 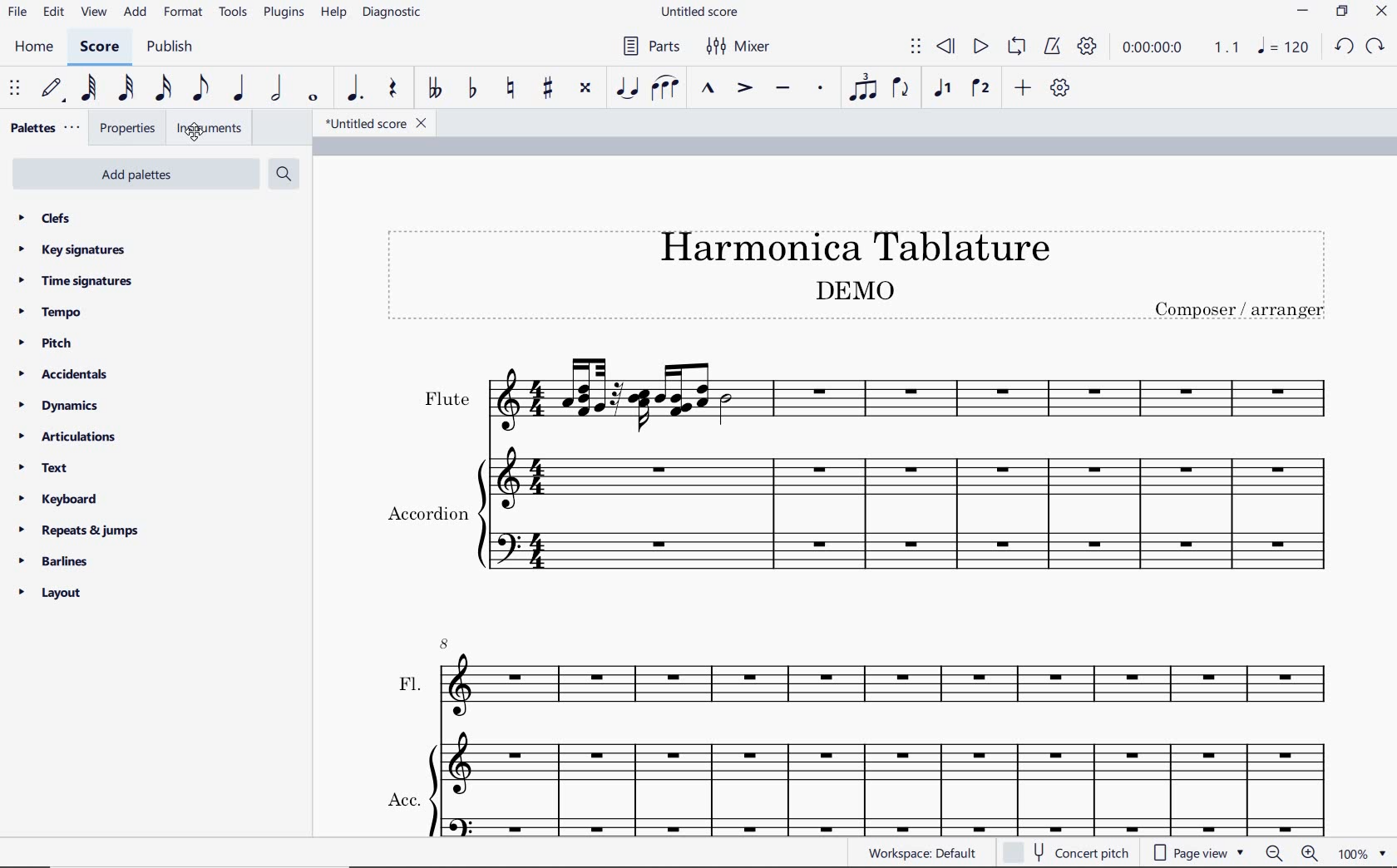 I want to click on Playback speed, so click(x=1228, y=47).